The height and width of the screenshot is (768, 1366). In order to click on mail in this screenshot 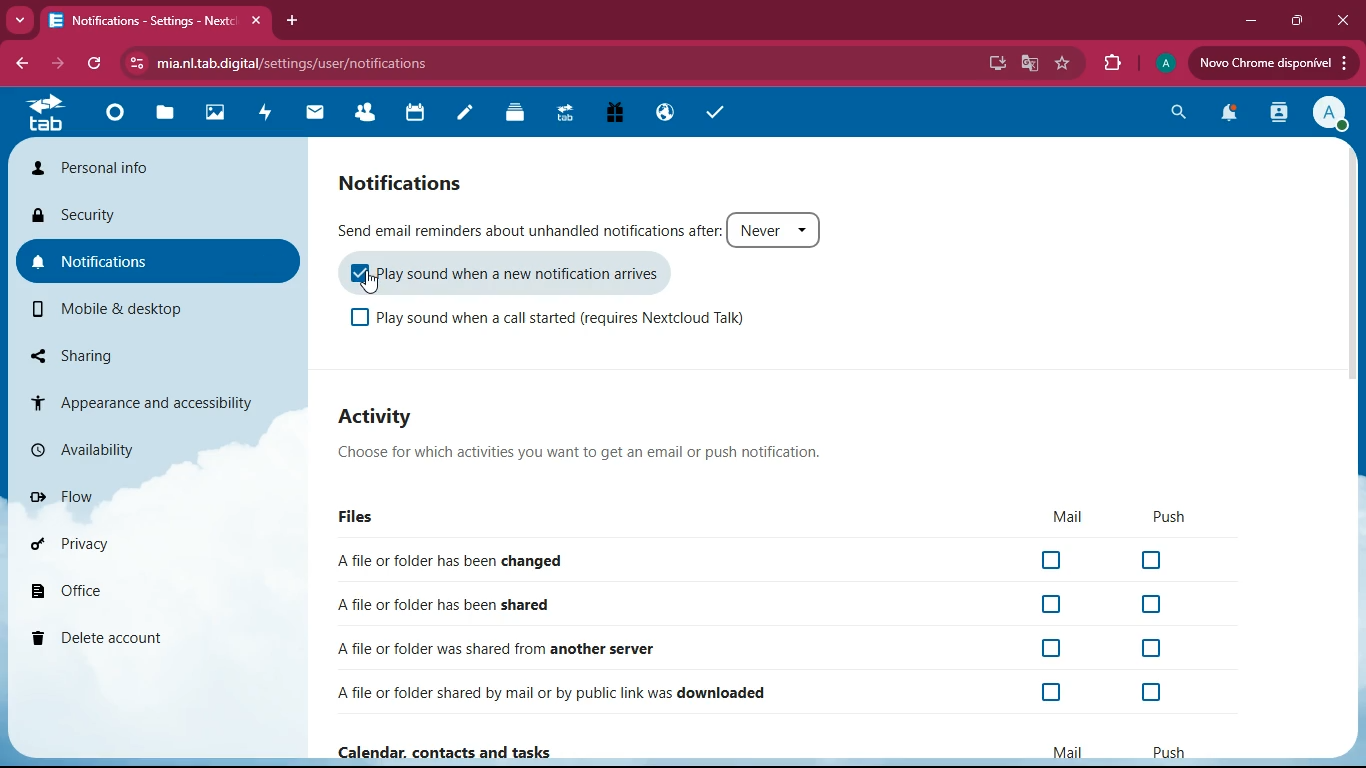, I will do `click(321, 113)`.